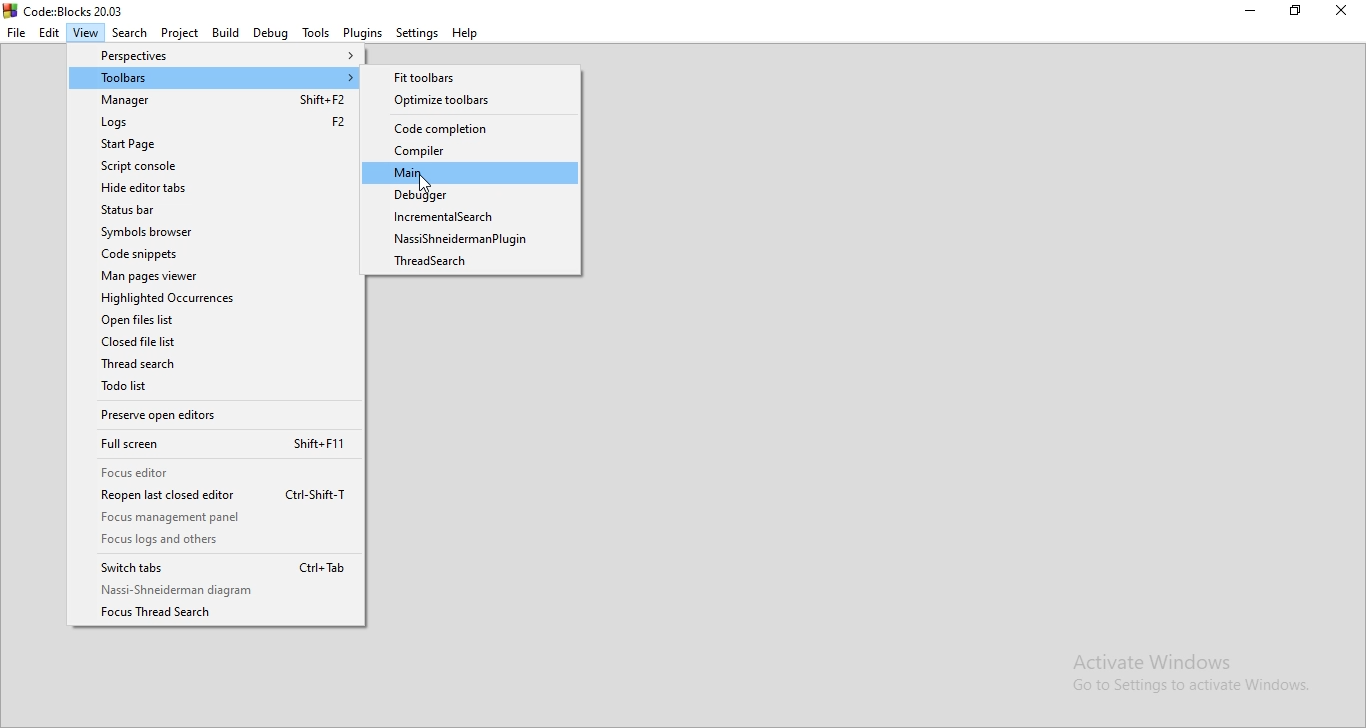 This screenshot has width=1366, height=728. Describe the element at coordinates (224, 543) in the screenshot. I see `Focus logs and others` at that location.